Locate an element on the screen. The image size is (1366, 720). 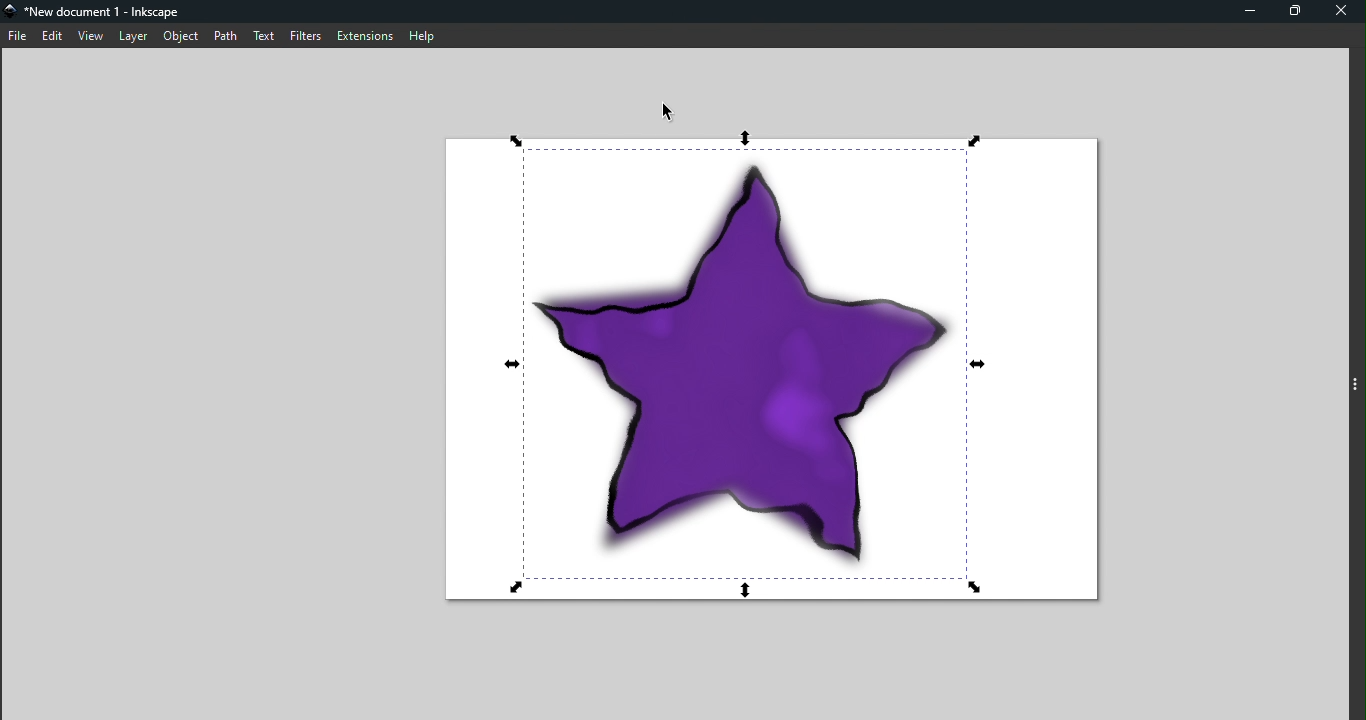
Extensions is located at coordinates (363, 34).